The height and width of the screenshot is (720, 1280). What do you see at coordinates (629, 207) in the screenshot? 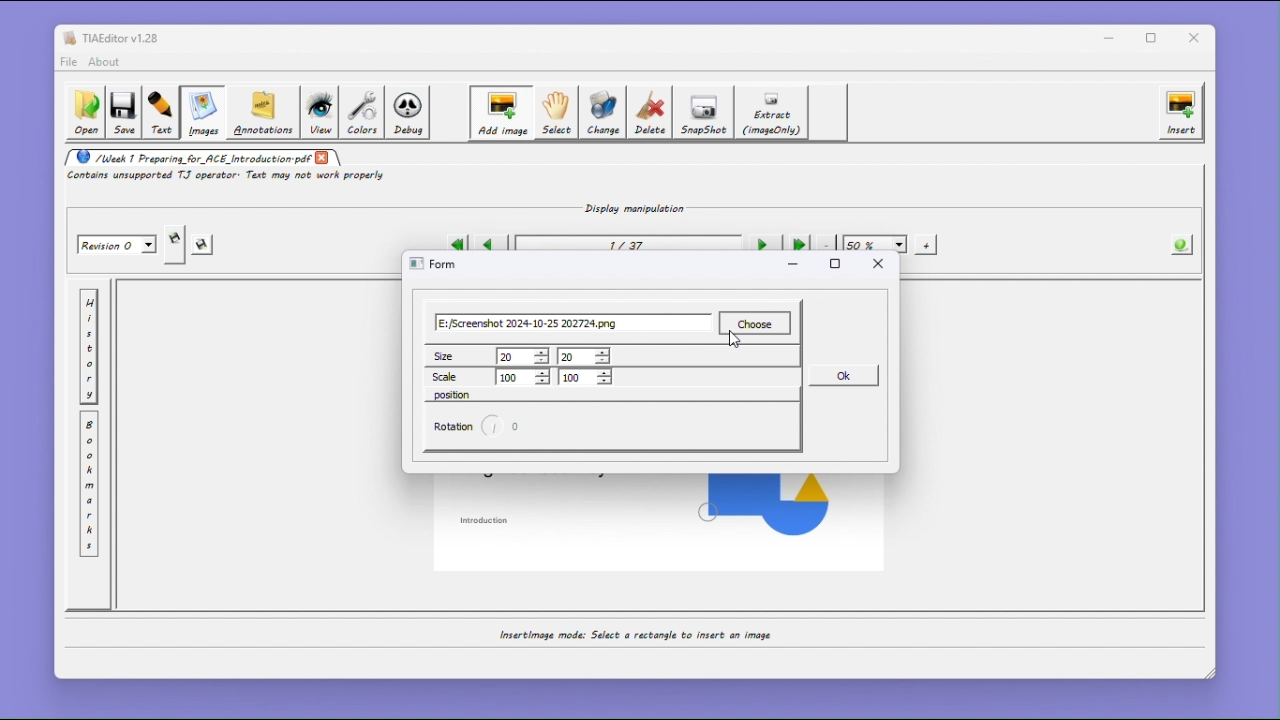
I see `Display manipulation` at bounding box center [629, 207].